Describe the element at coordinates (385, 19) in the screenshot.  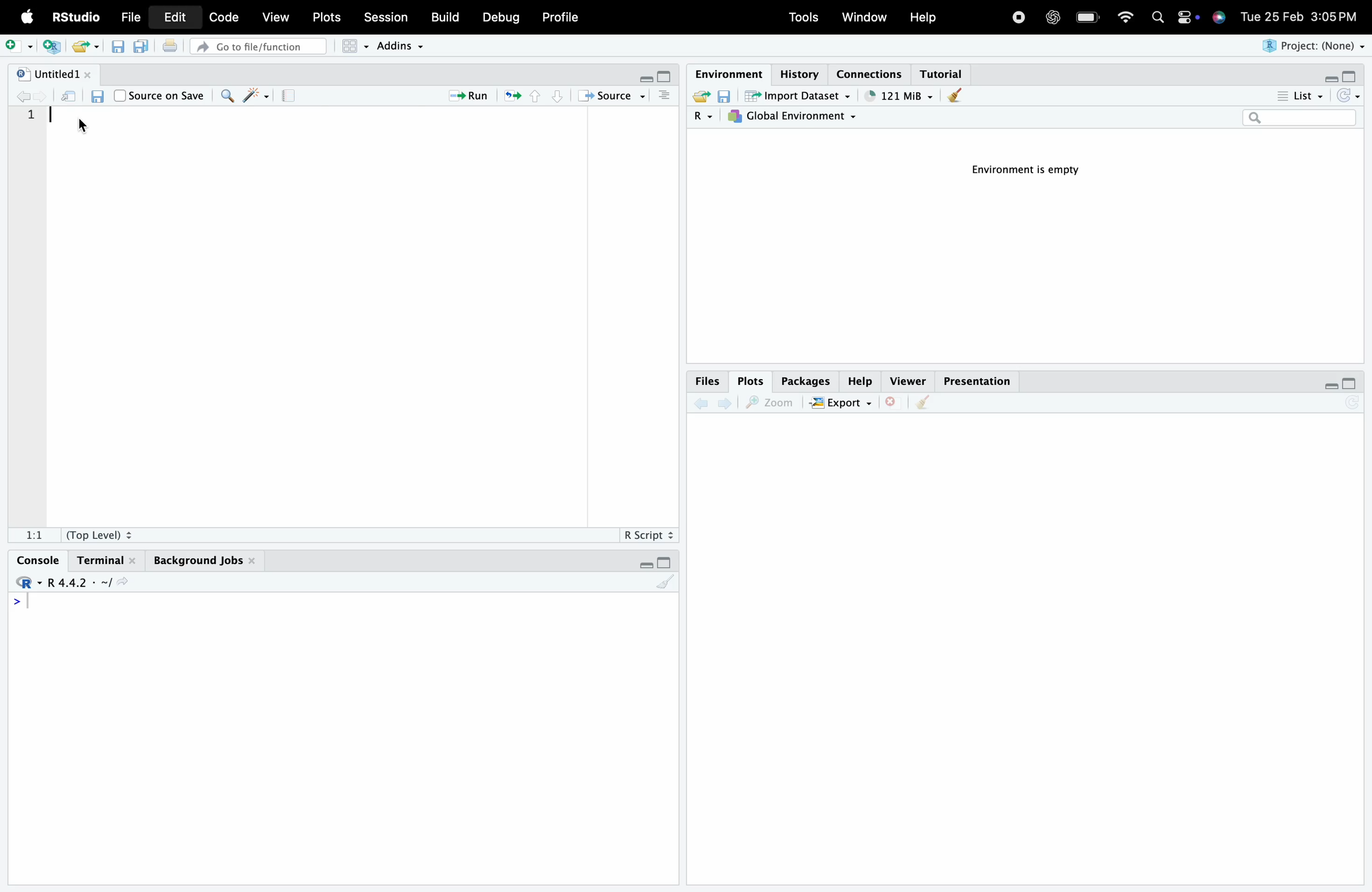
I see `Session` at that location.